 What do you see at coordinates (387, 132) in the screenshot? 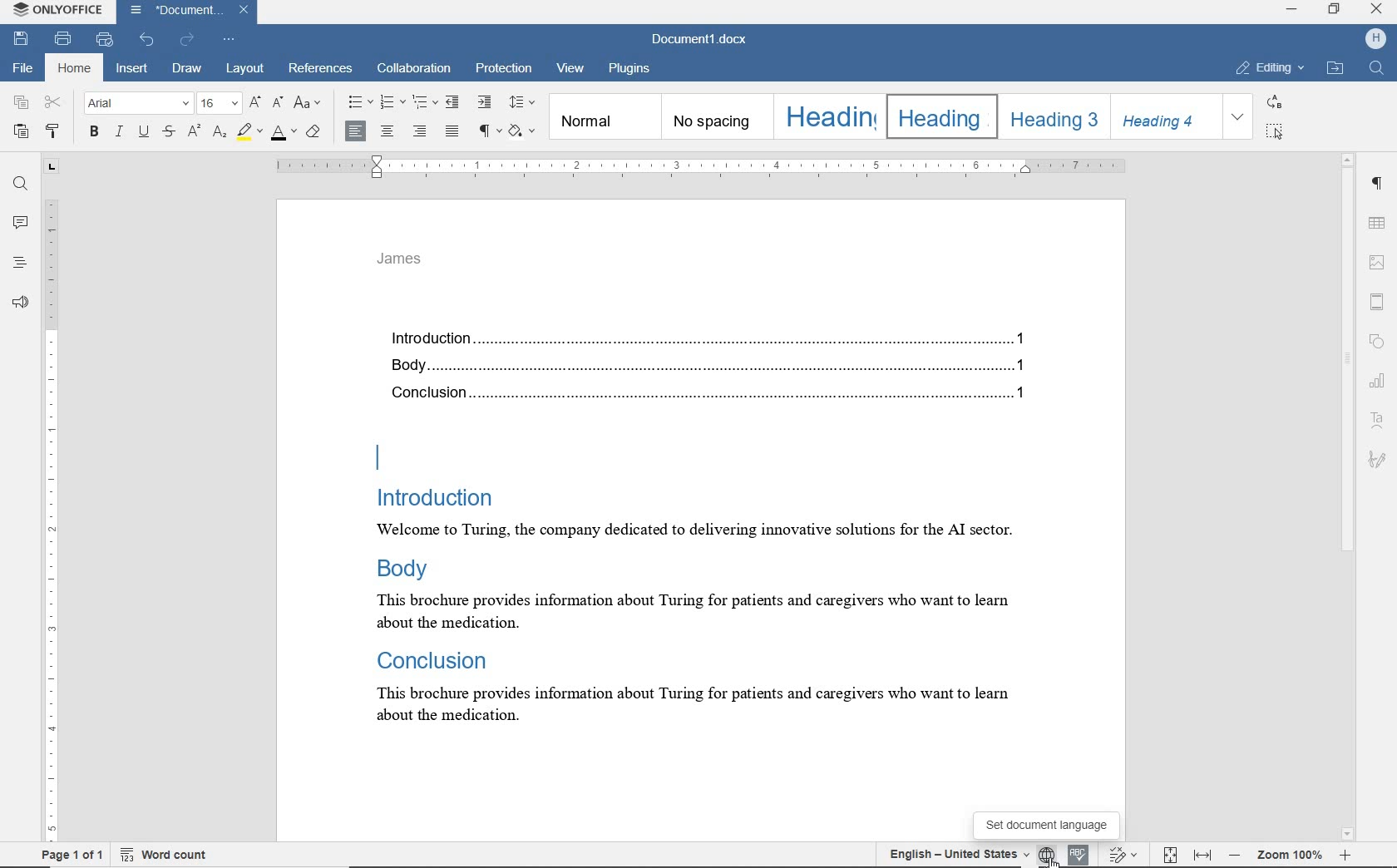
I see `align center` at bounding box center [387, 132].